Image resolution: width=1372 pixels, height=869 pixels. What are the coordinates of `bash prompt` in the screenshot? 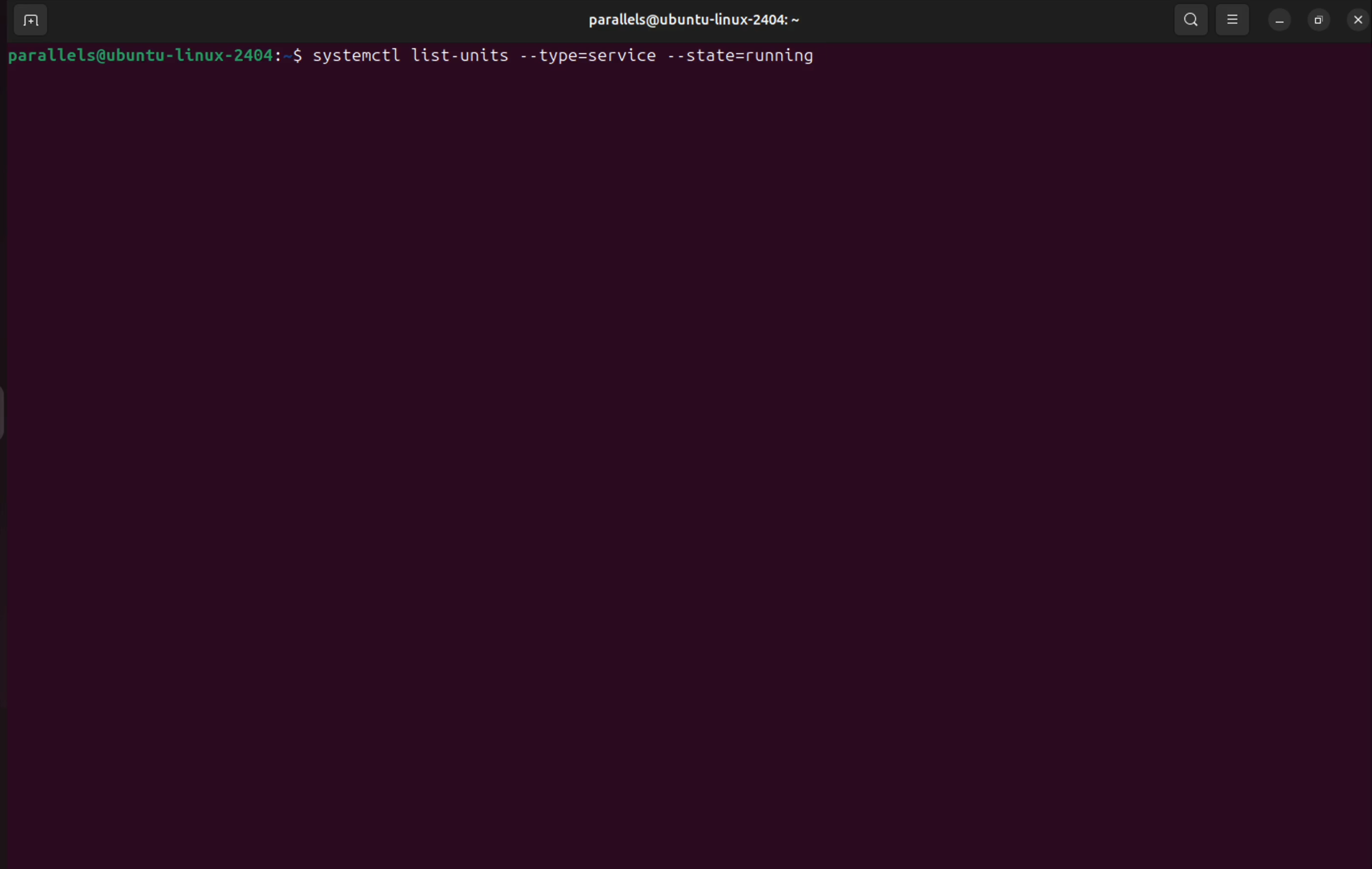 It's located at (156, 58).